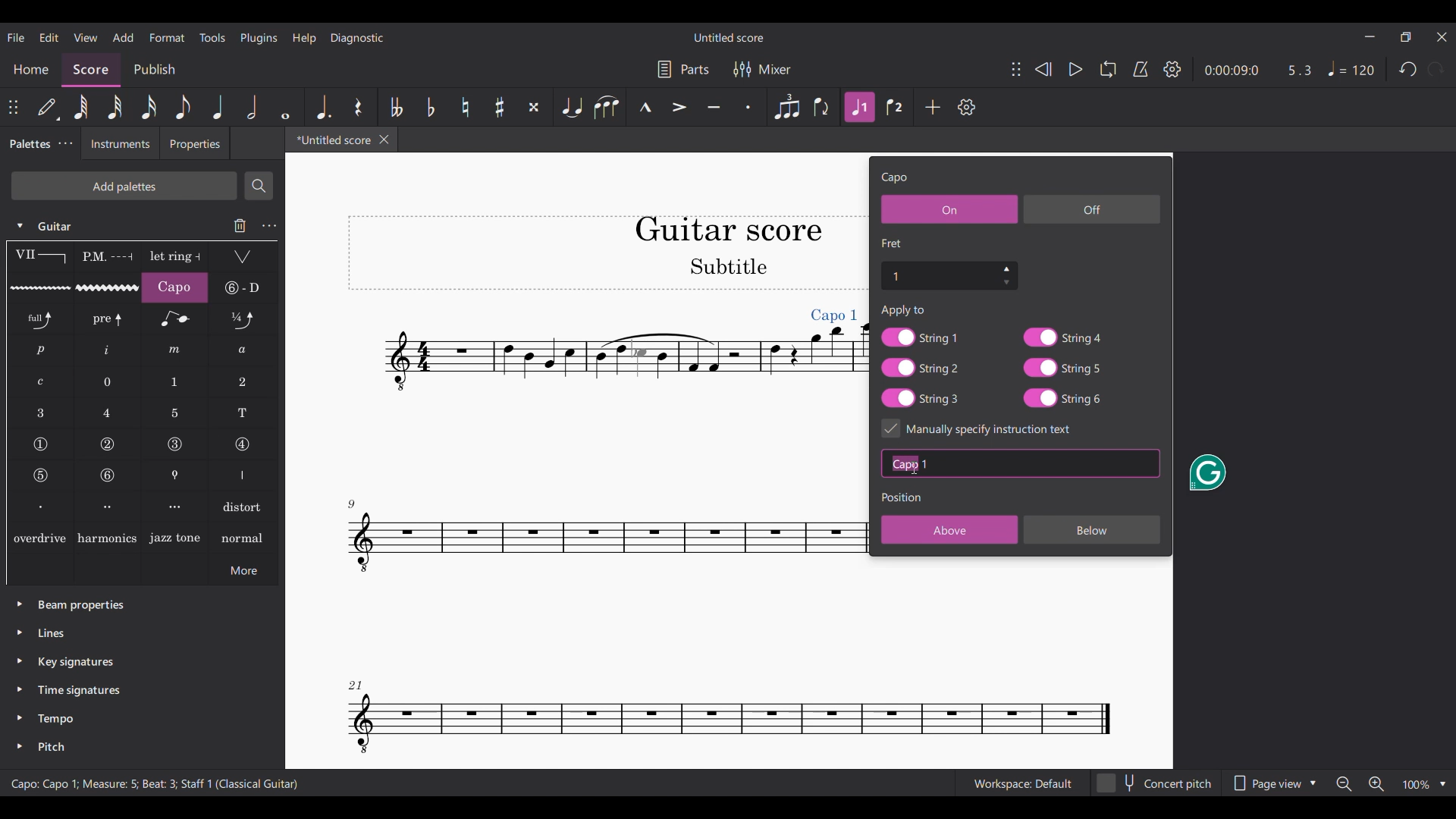 The width and height of the screenshot is (1456, 819). I want to click on Click to expand beam properties, so click(20, 604).